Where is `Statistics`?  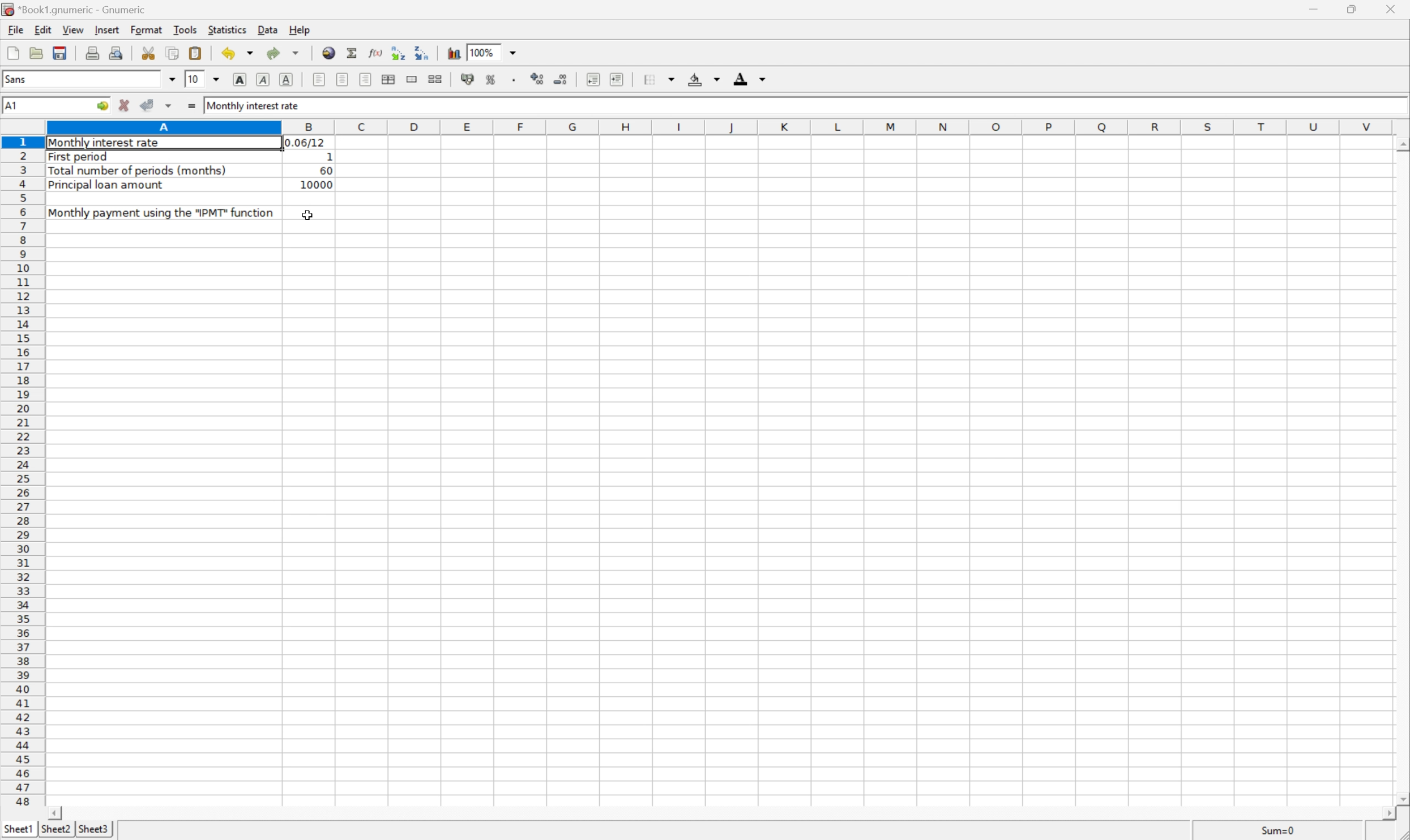 Statistics is located at coordinates (227, 28).